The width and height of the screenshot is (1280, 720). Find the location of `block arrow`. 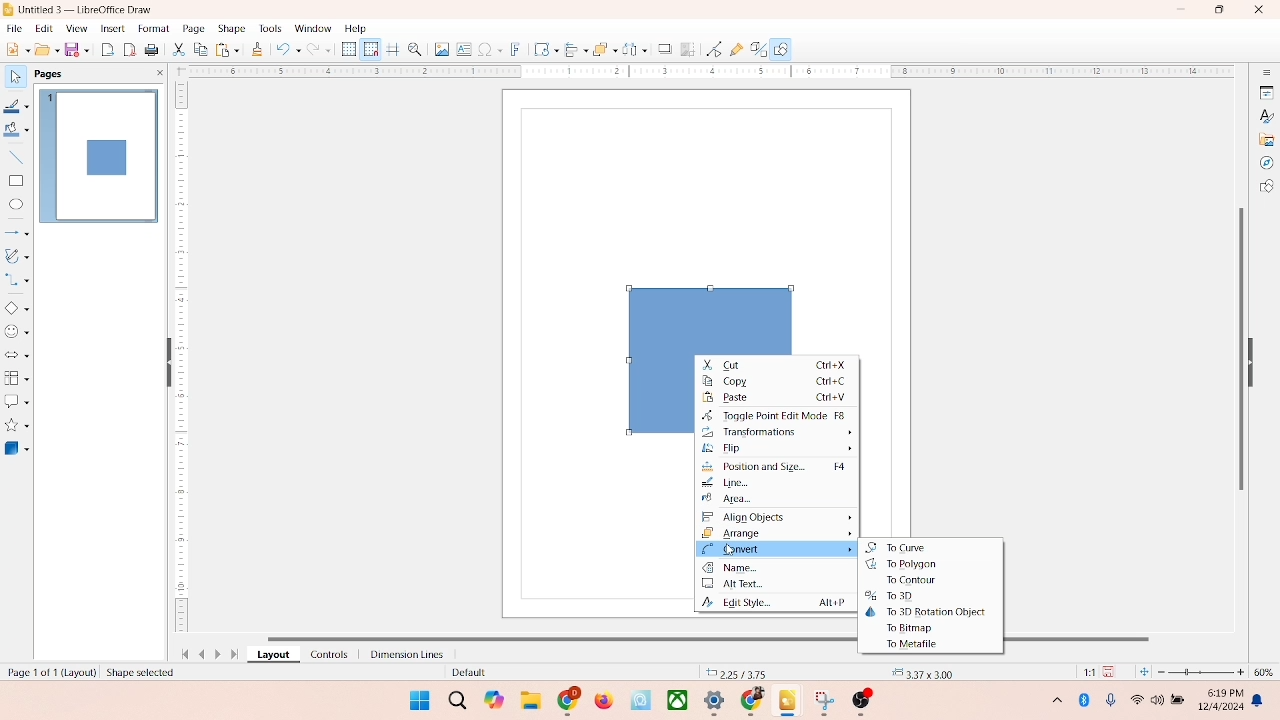

block arrow is located at coordinates (17, 356).